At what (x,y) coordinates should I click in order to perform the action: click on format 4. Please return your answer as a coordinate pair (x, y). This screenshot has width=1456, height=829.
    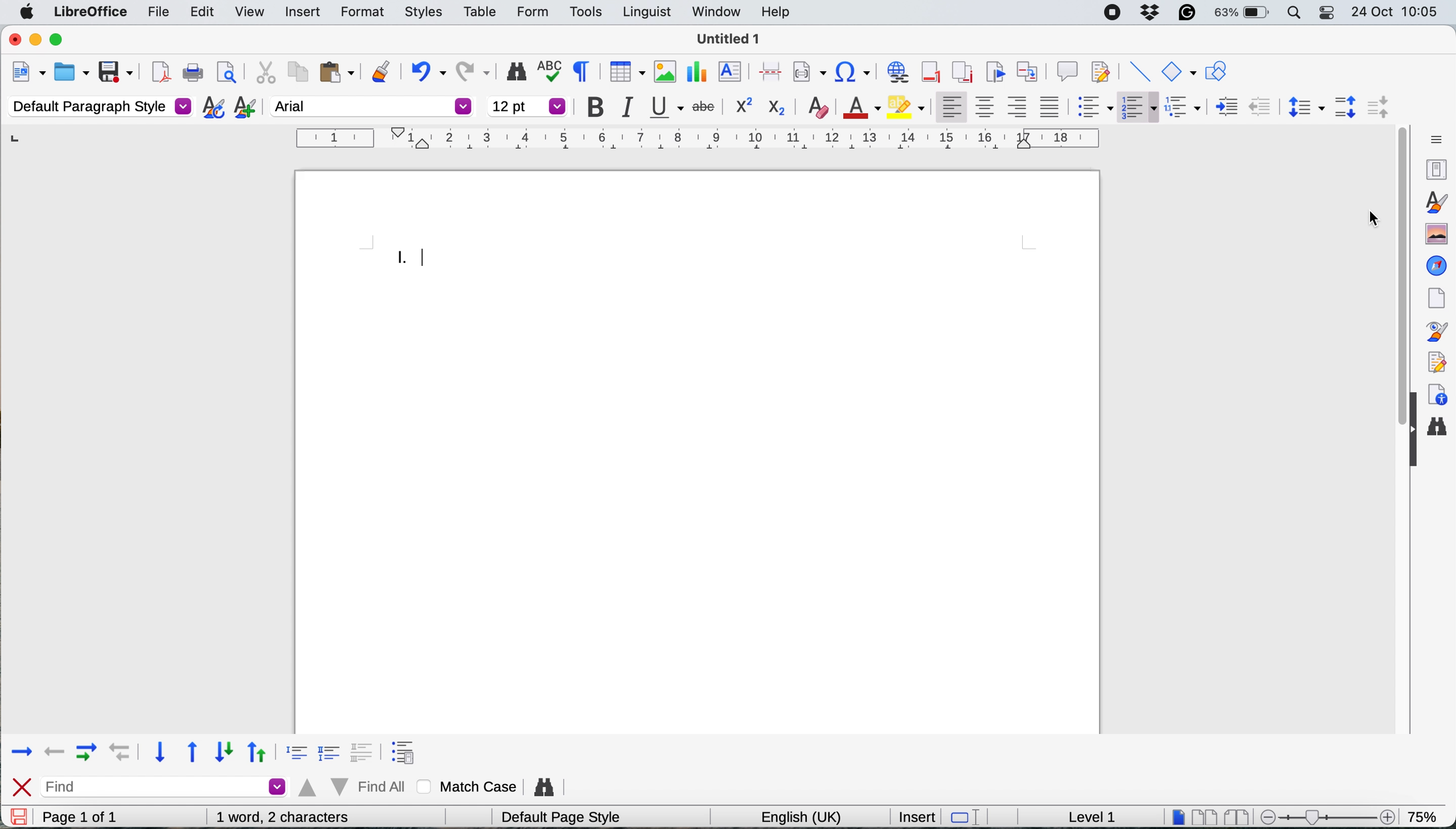
    Looking at the image, I should click on (407, 746).